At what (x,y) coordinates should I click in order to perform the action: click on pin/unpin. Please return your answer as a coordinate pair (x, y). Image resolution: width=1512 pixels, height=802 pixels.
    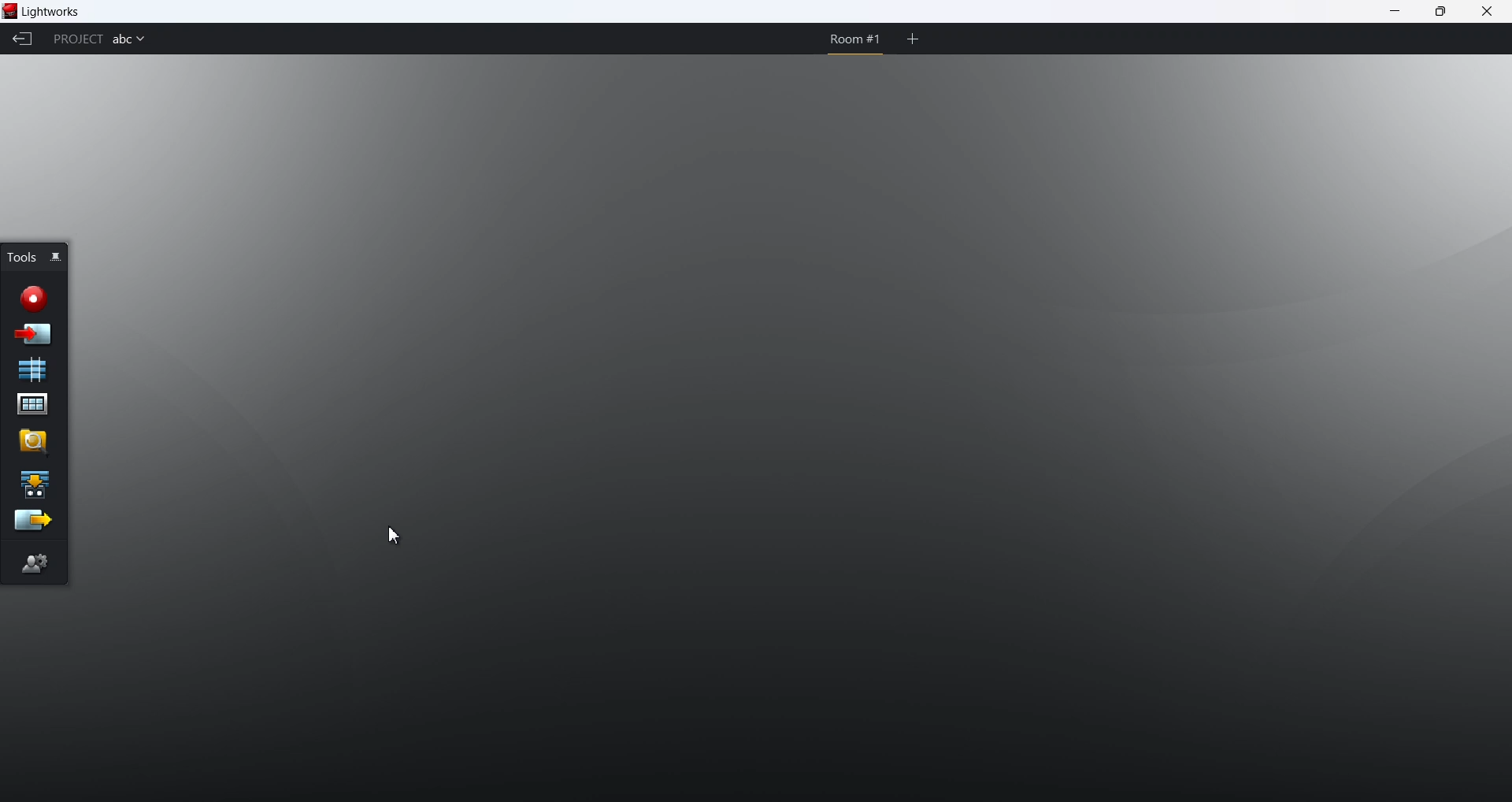
    Looking at the image, I should click on (59, 258).